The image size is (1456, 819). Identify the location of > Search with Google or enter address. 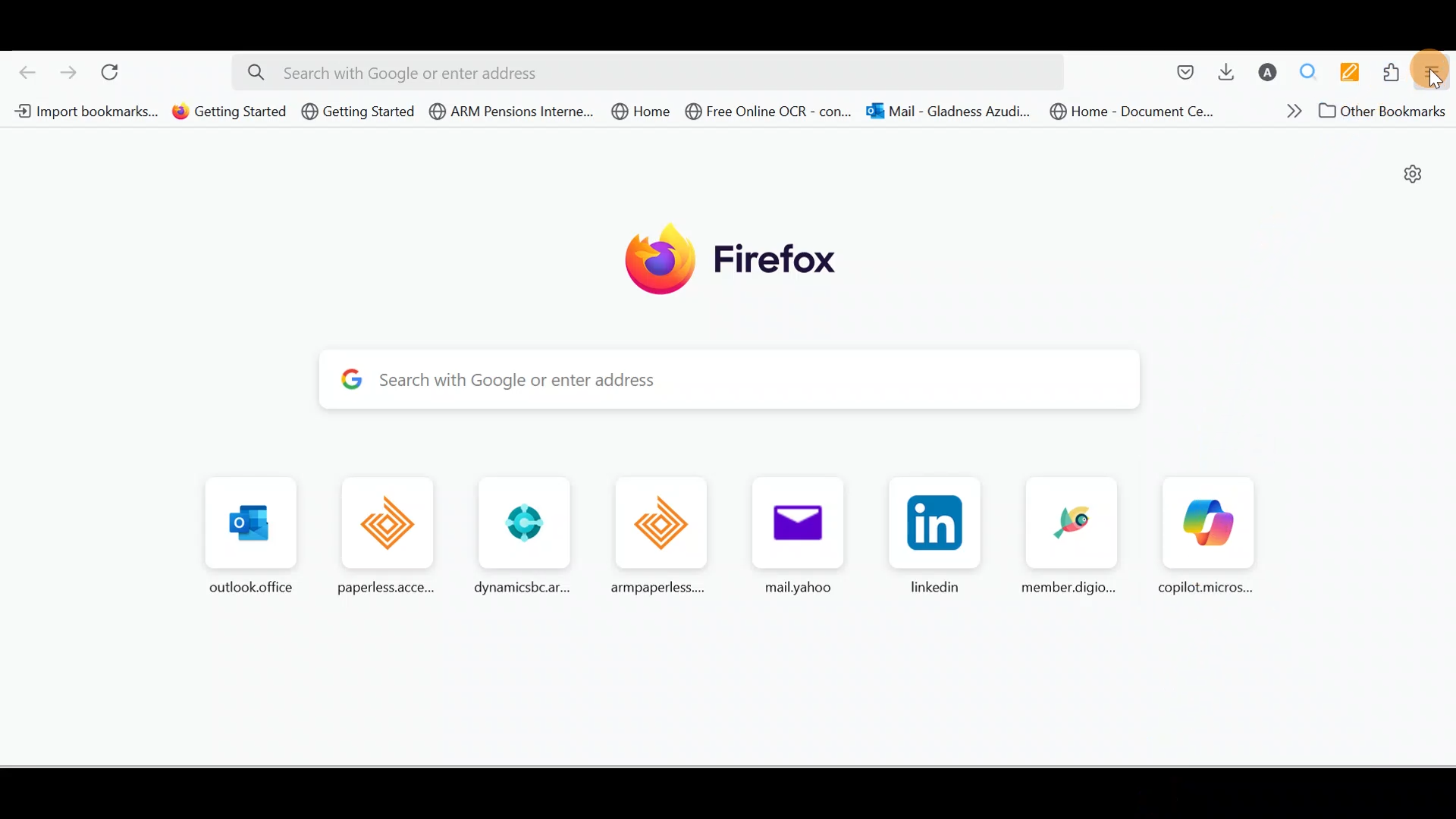
(745, 380).